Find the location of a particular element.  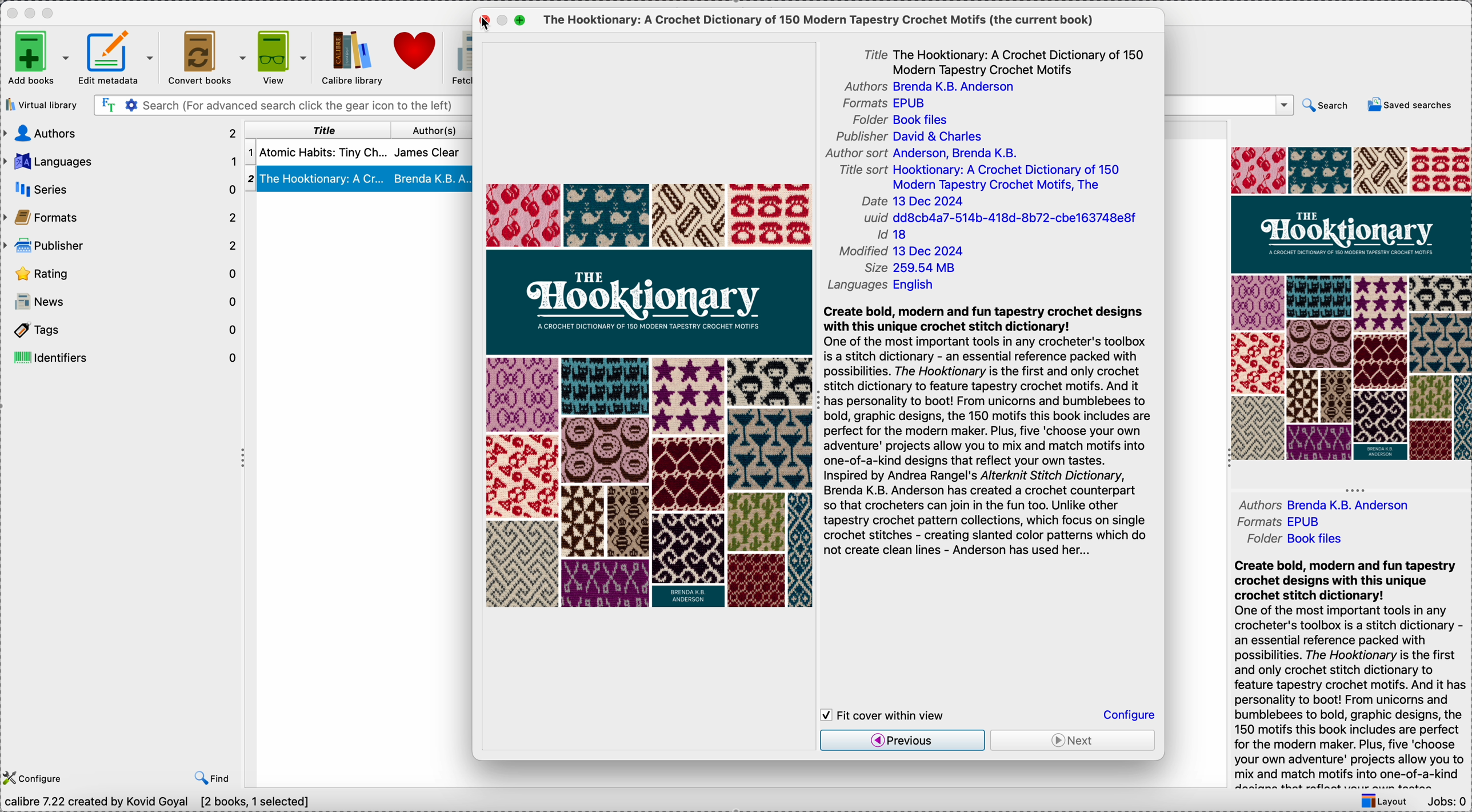

modified 13 Dec 2004 is located at coordinates (901, 252).